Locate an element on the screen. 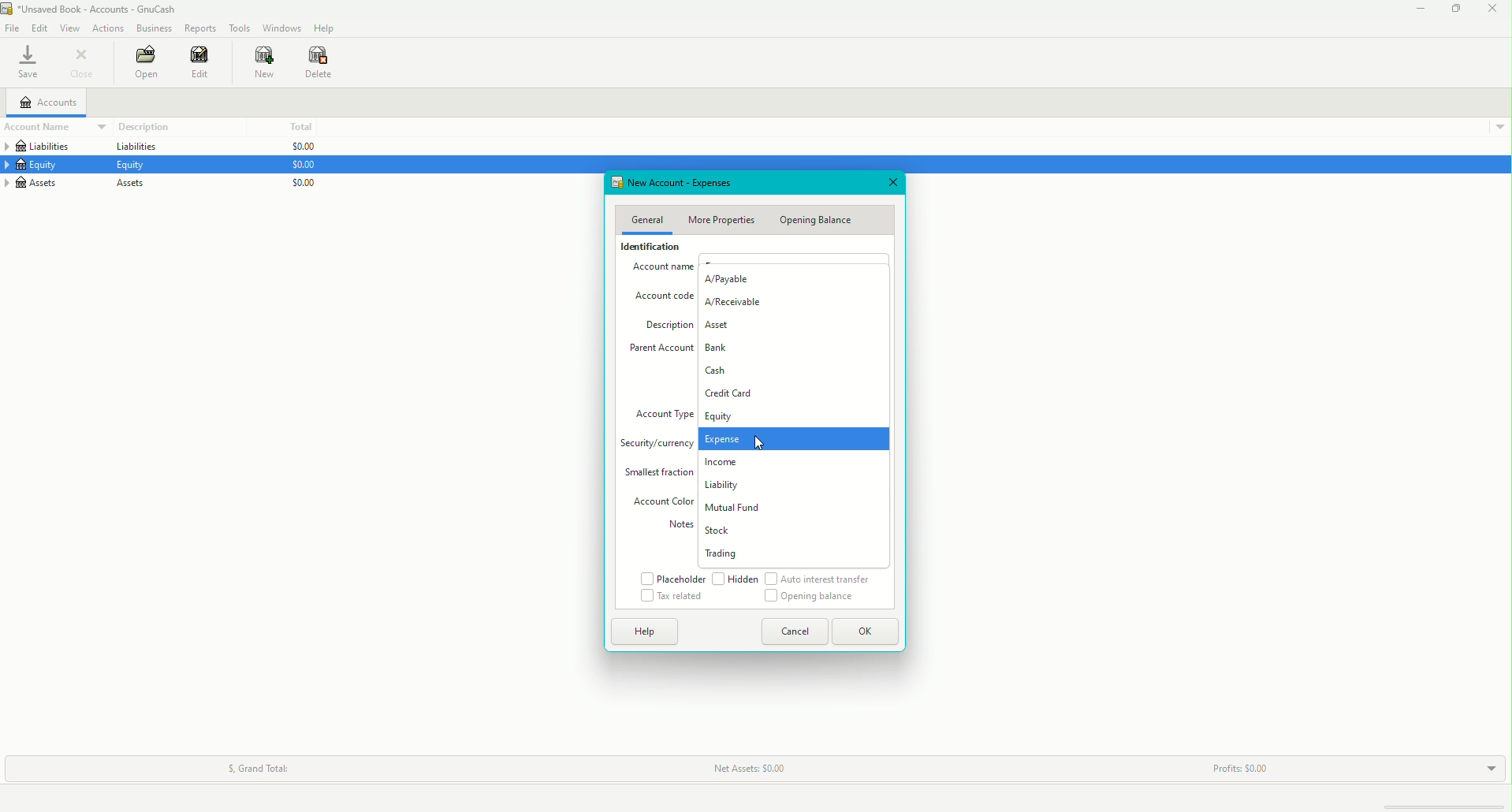  $0 is located at coordinates (303, 167).